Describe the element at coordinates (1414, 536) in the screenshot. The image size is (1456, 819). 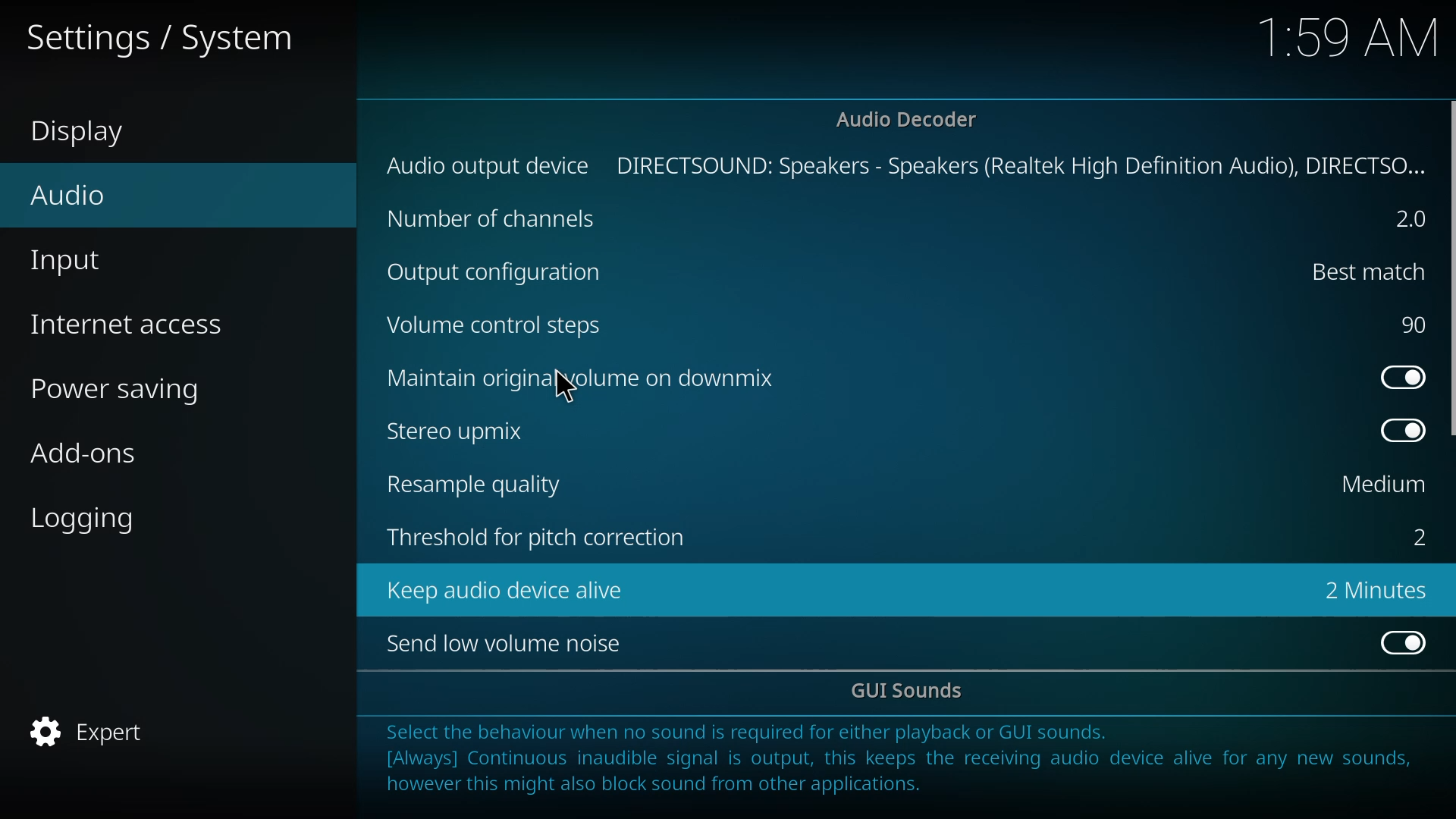
I see `2` at that location.